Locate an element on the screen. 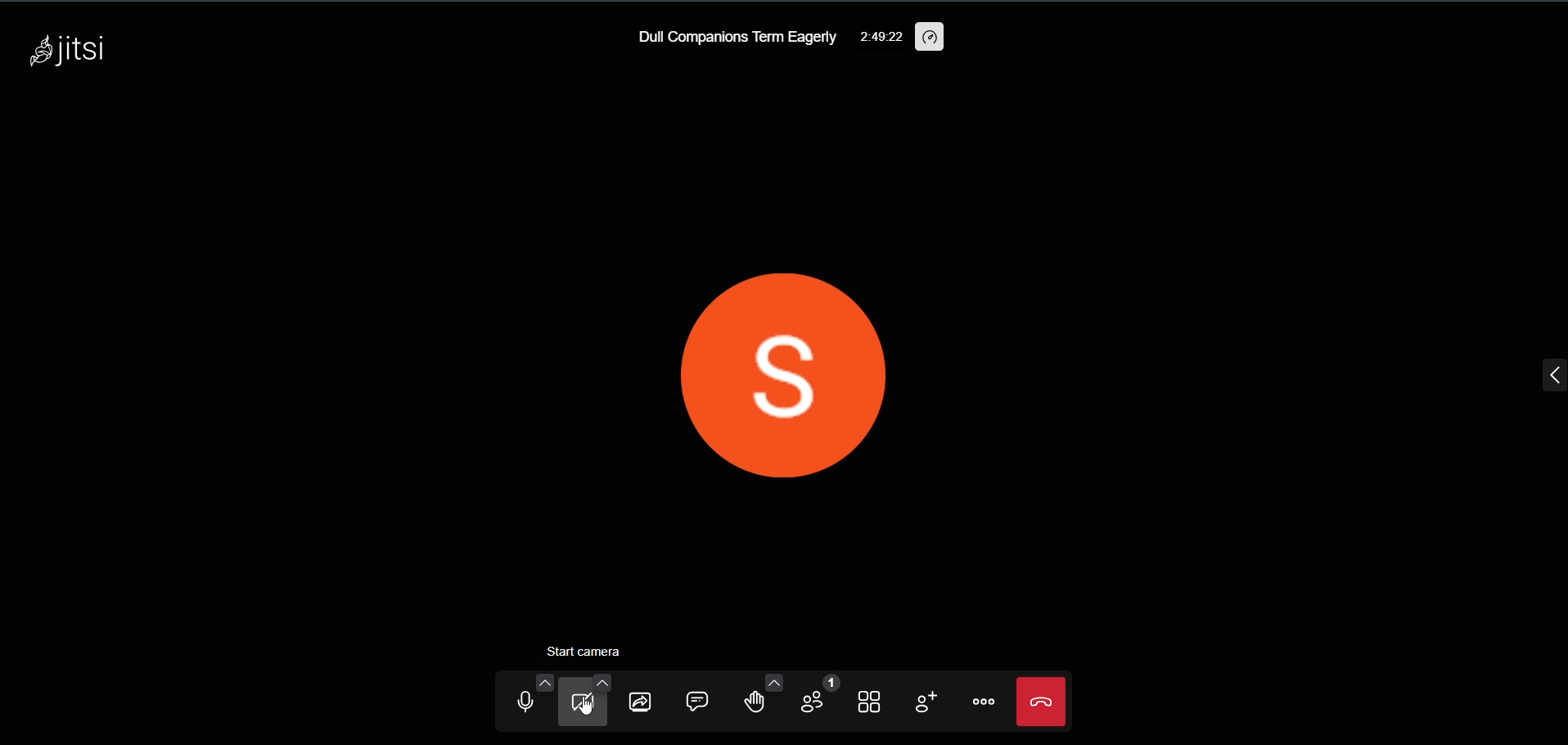 Image resolution: width=1568 pixels, height=745 pixels. tile view is located at coordinates (869, 702).